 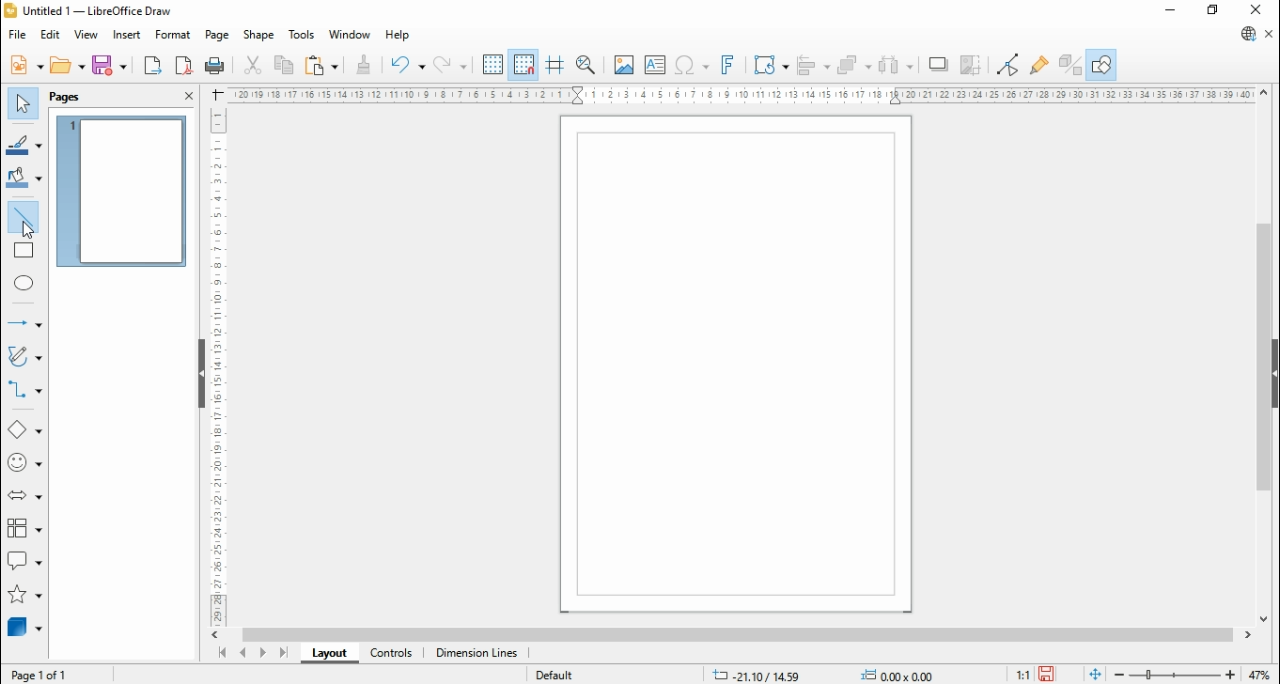 What do you see at coordinates (1214, 11) in the screenshot?
I see `restore` at bounding box center [1214, 11].